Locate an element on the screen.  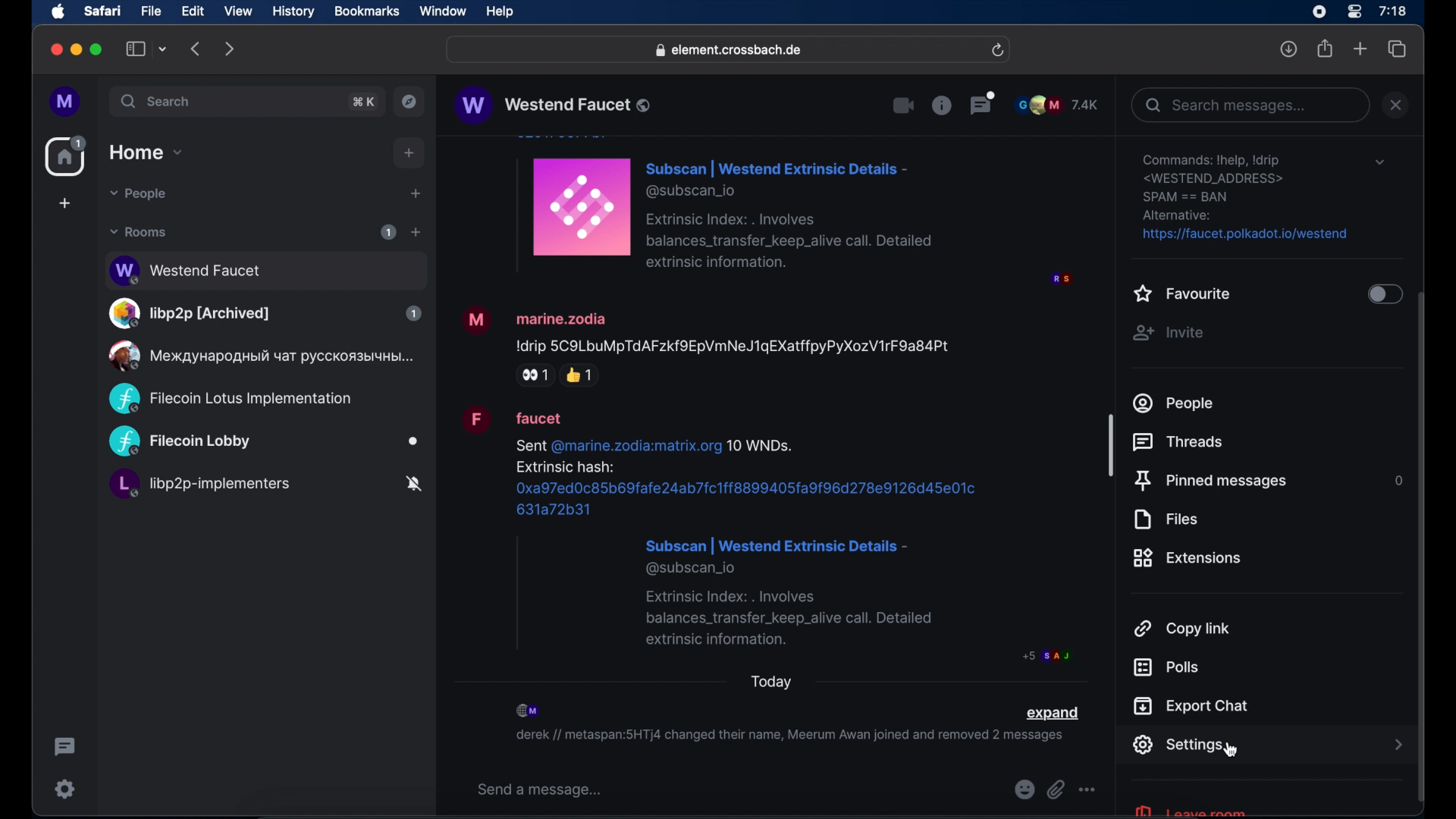
home dropdown is located at coordinates (146, 152).